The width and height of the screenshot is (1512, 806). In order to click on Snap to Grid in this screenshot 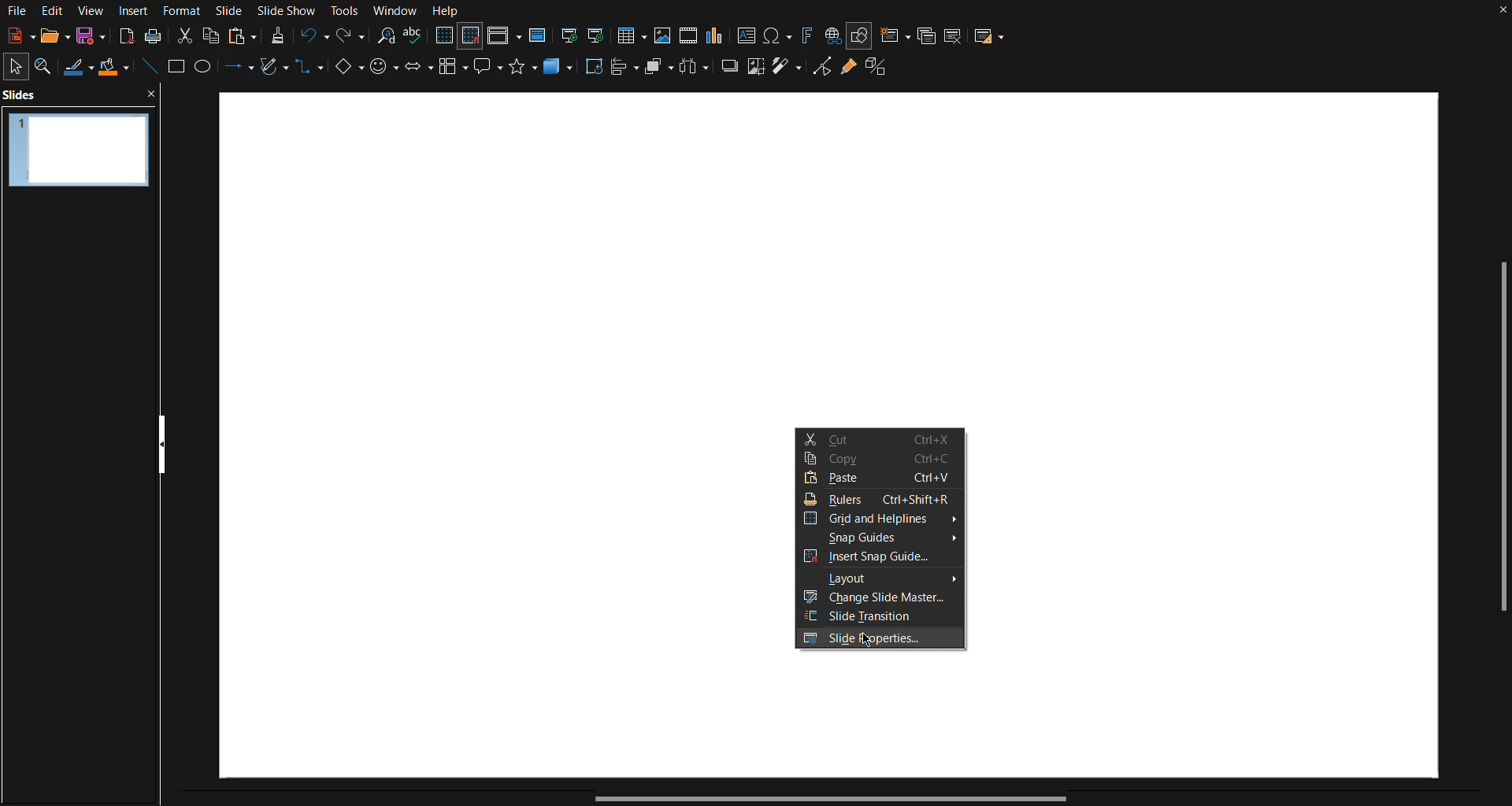, I will do `click(471, 37)`.